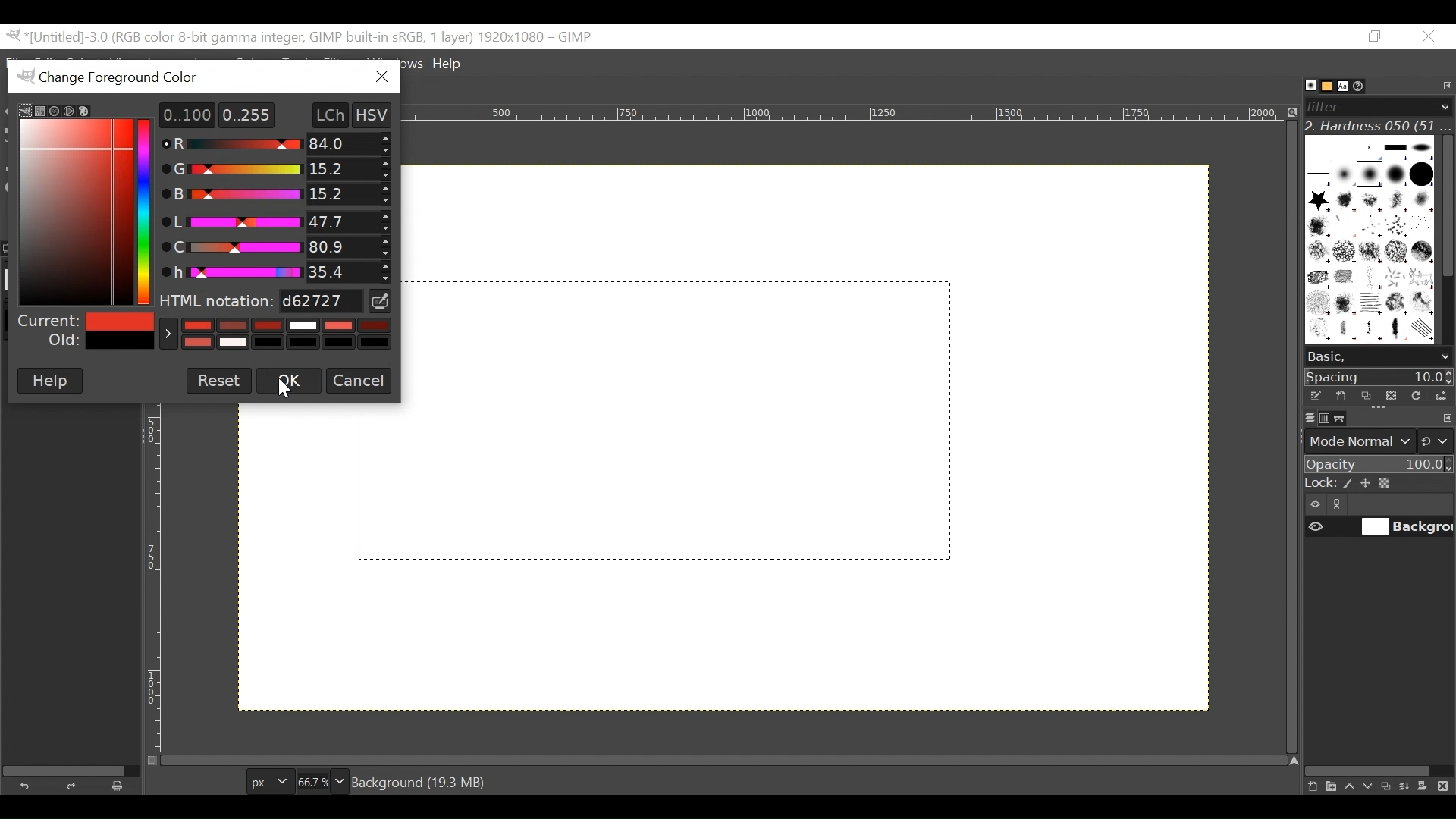  What do you see at coordinates (275, 193) in the screenshot?
I see `Blue` at bounding box center [275, 193].